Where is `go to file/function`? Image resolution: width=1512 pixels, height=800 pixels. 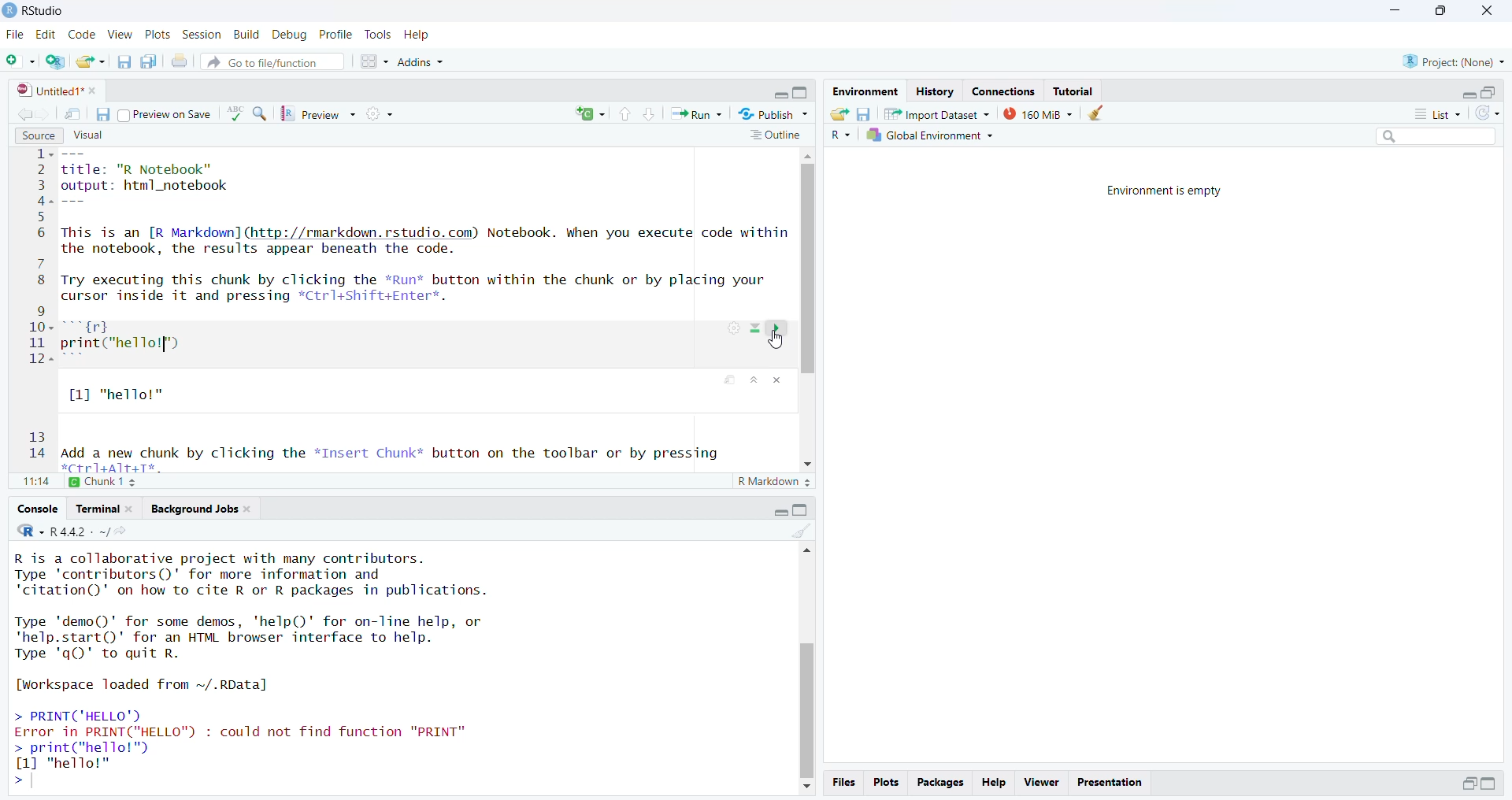
go to file/function is located at coordinates (272, 61).